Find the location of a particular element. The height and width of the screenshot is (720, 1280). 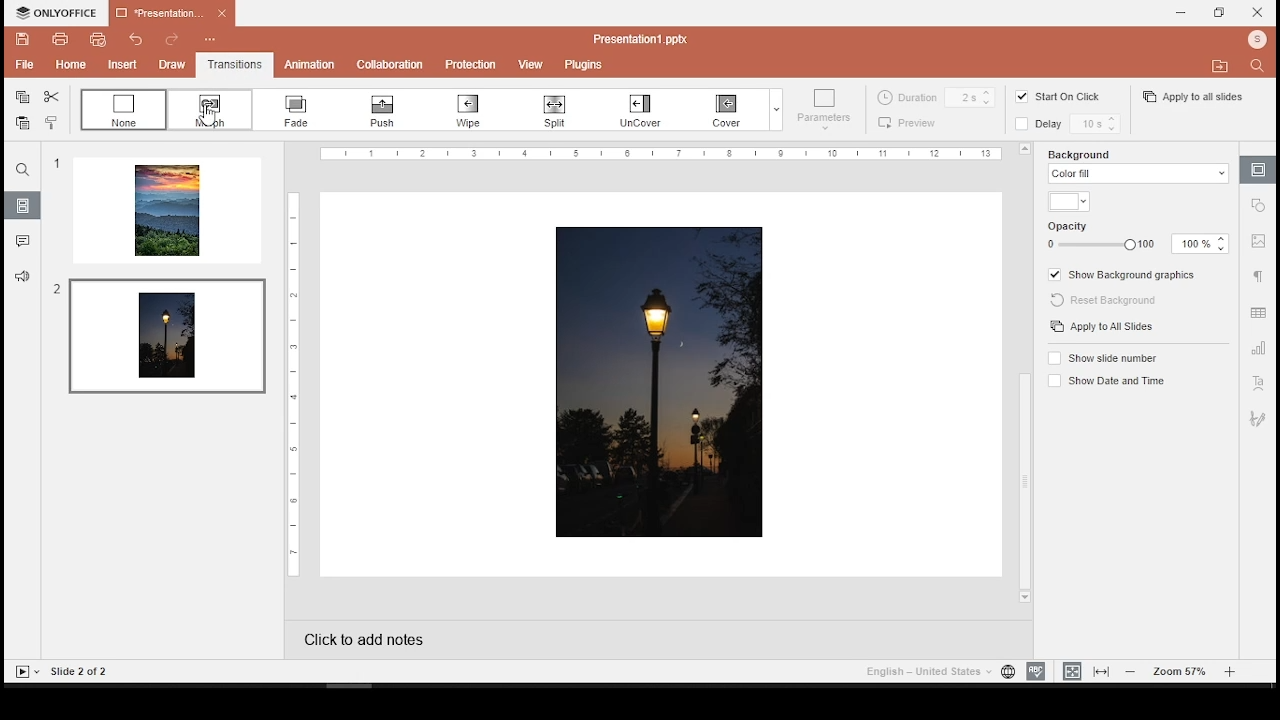

collaboration is located at coordinates (388, 62).